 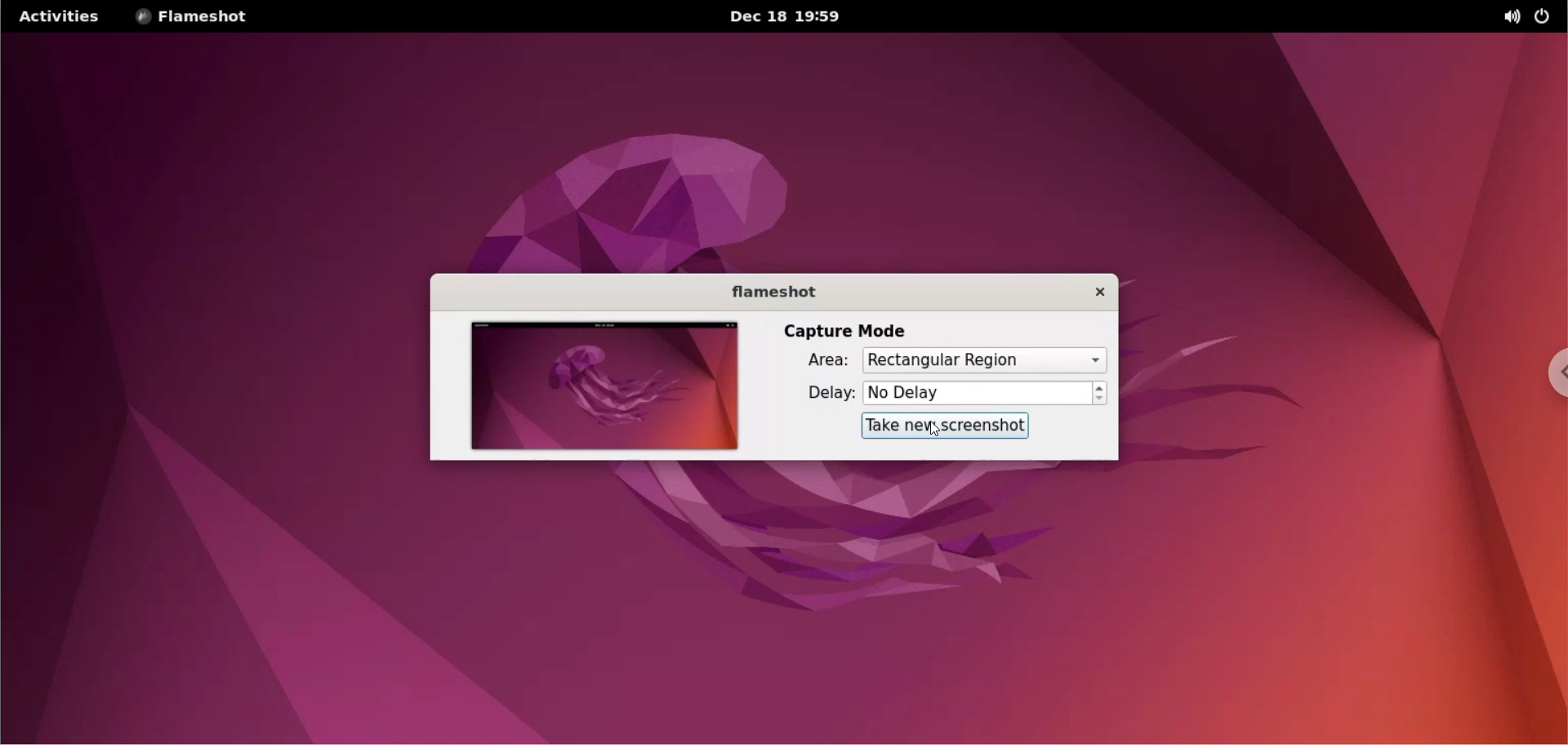 What do you see at coordinates (604, 389) in the screenshot?
I see `screenshot preview` at bounding box center [604, 389].